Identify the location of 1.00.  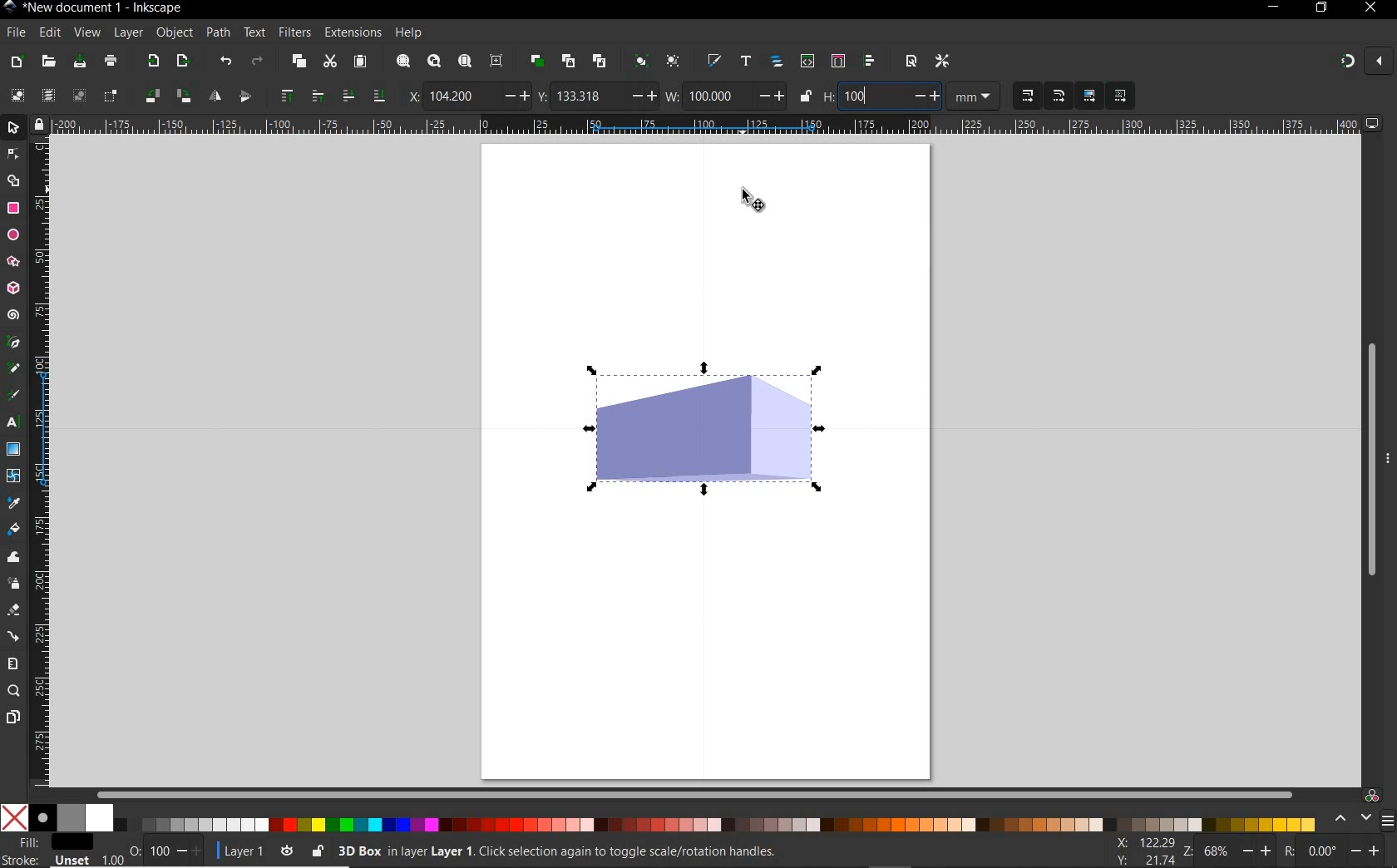
(111, 858).